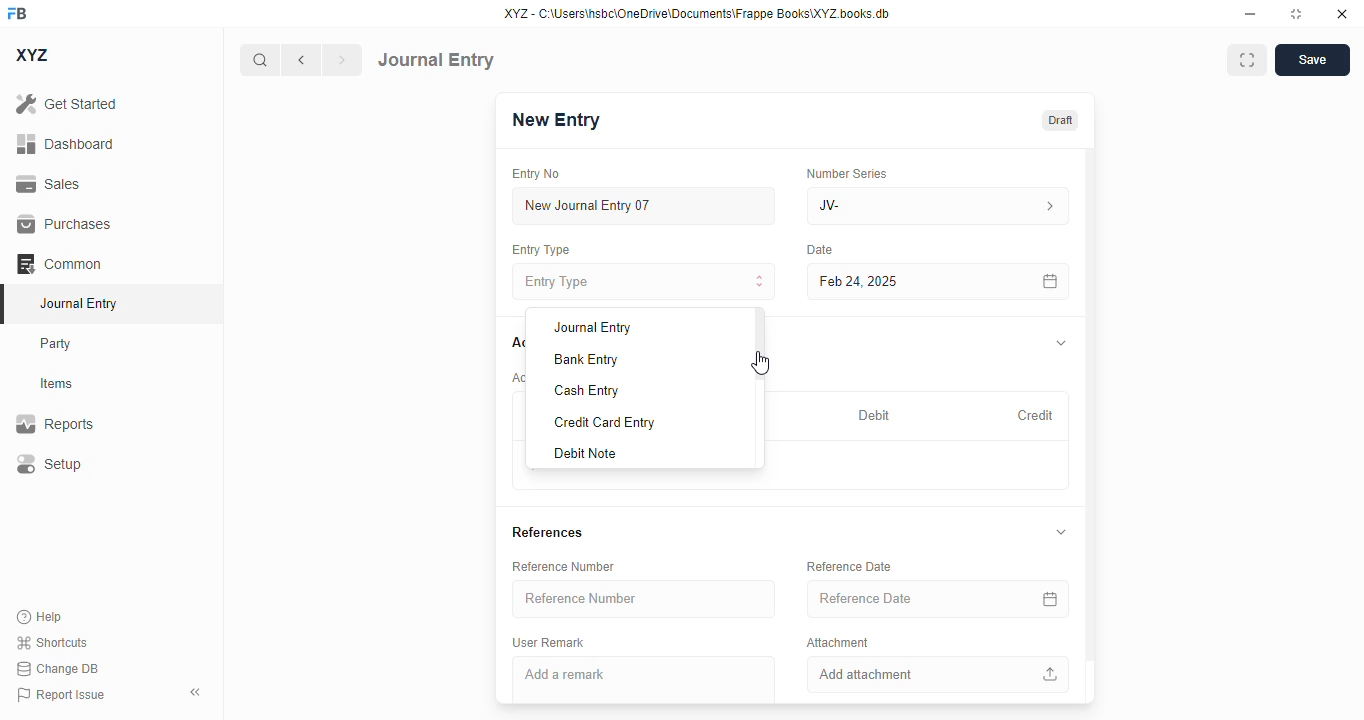 The height and width of the screenshot is (720, 1364). Describe the element at coordinates (1342, 14) in the screenshot. I see `close` at that location.